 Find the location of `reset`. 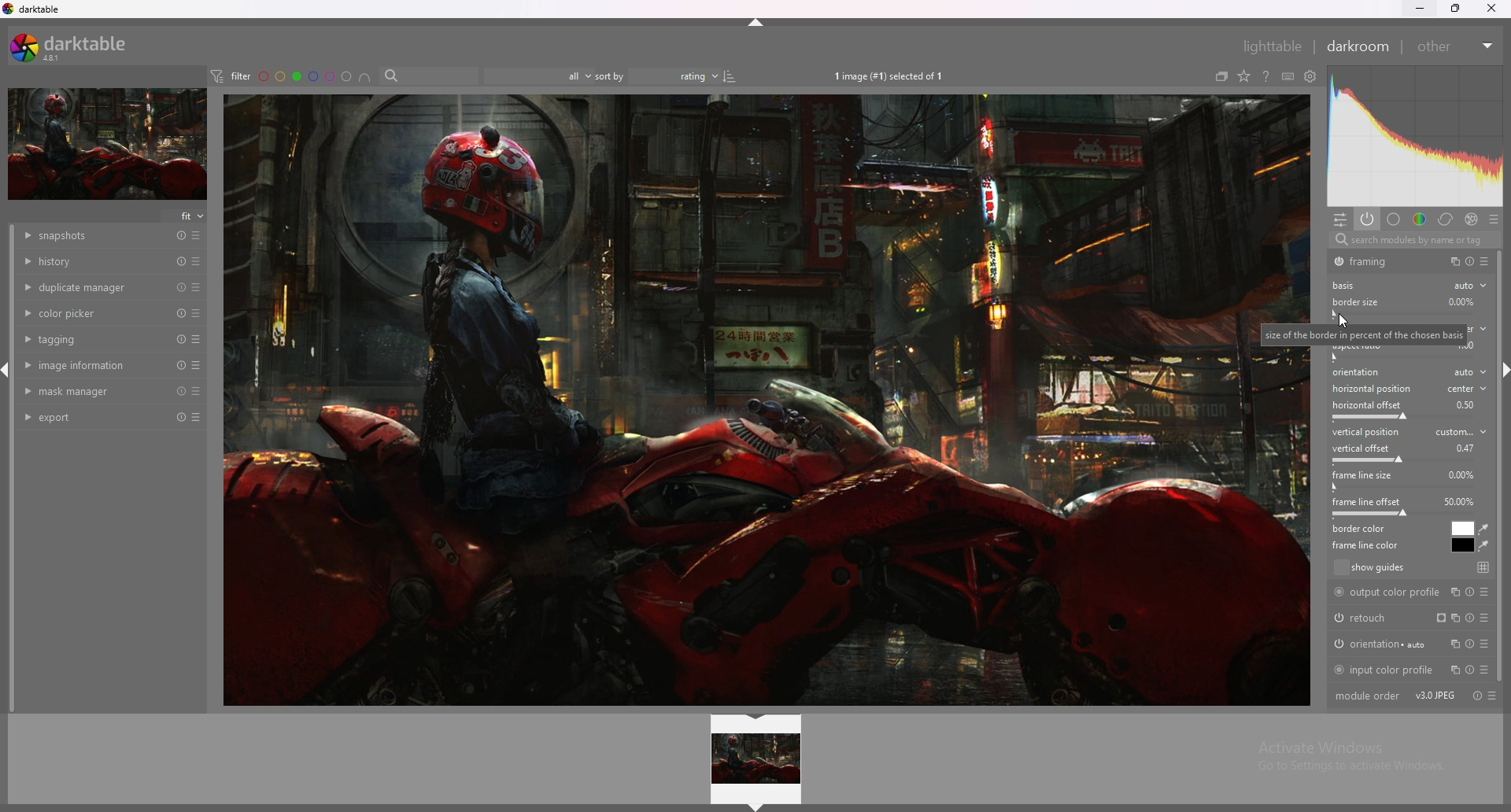

reset is located at coordinates (179, 418).